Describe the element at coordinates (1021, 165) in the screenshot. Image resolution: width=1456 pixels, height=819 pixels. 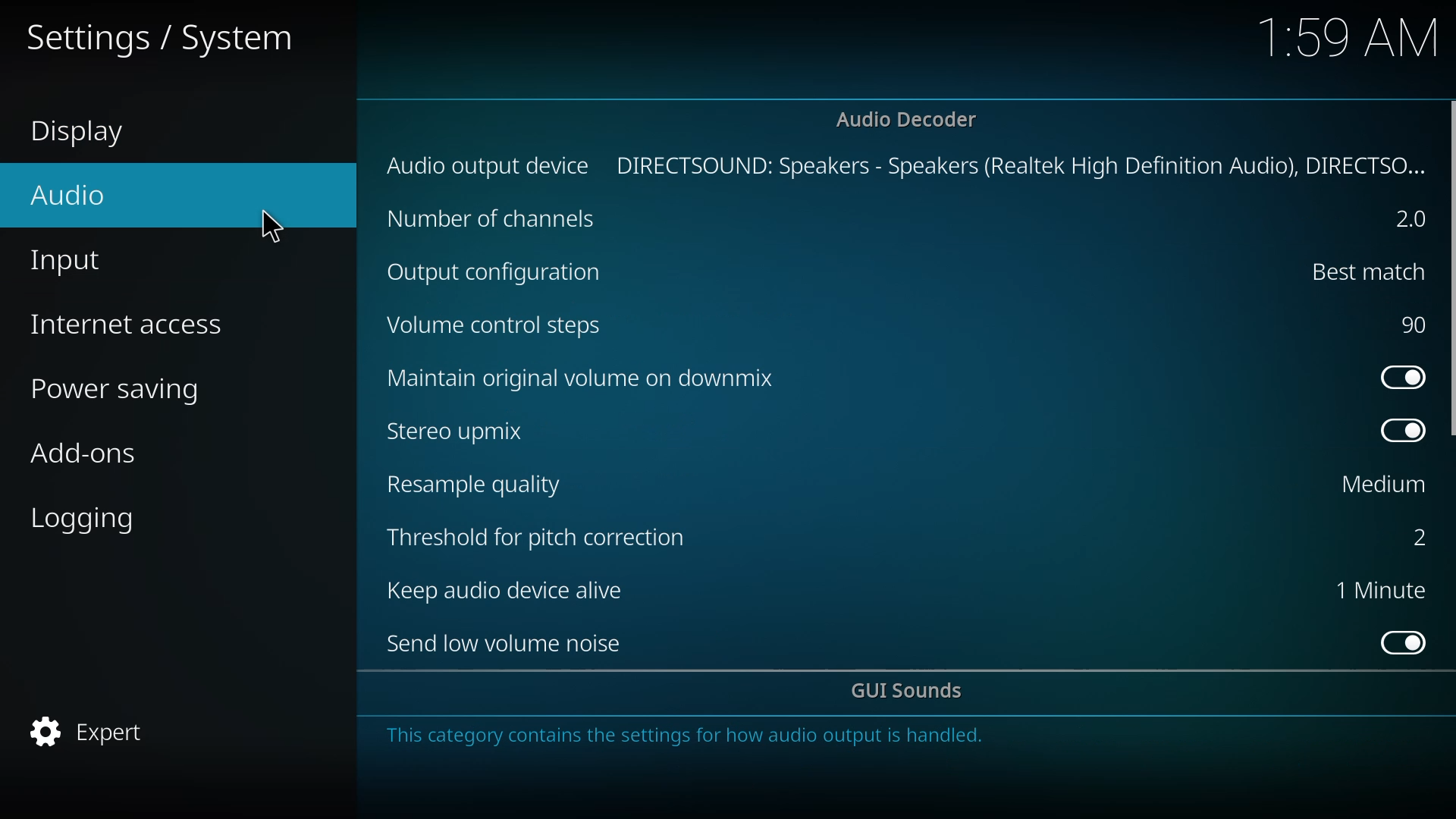
I see `directsound` at that location.